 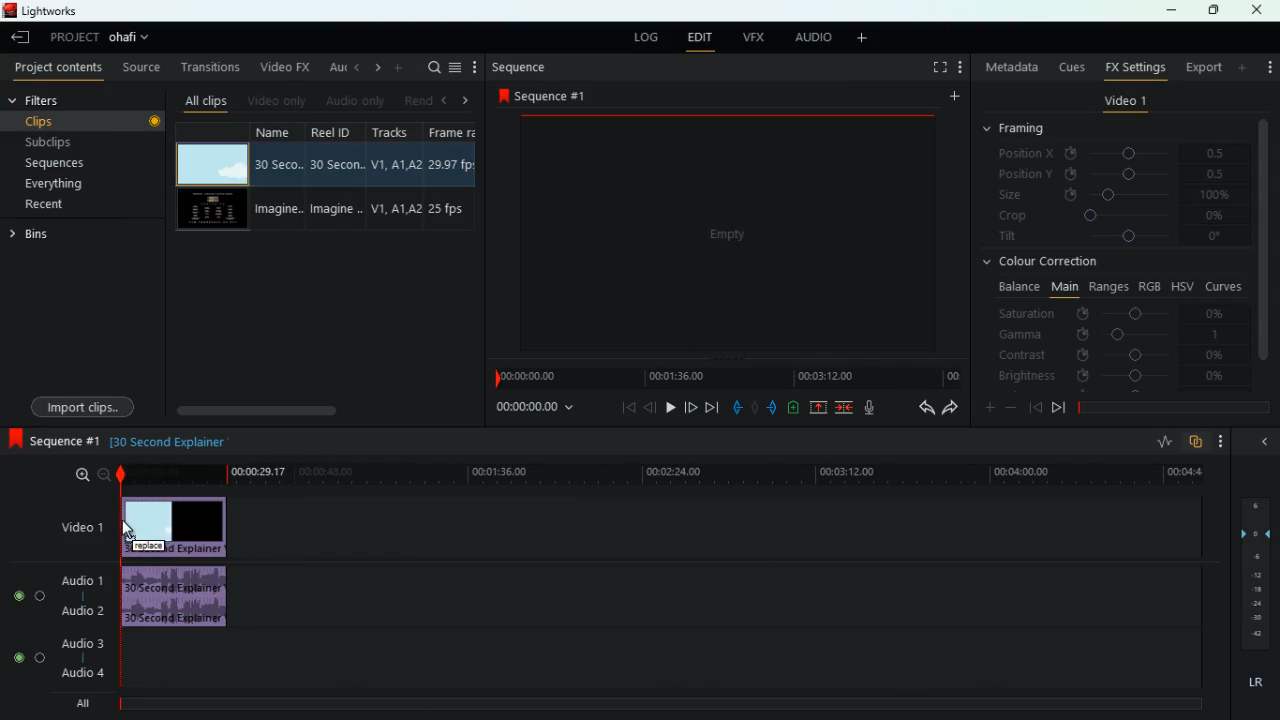 I want to click on project content, so click(x=59, y=69).